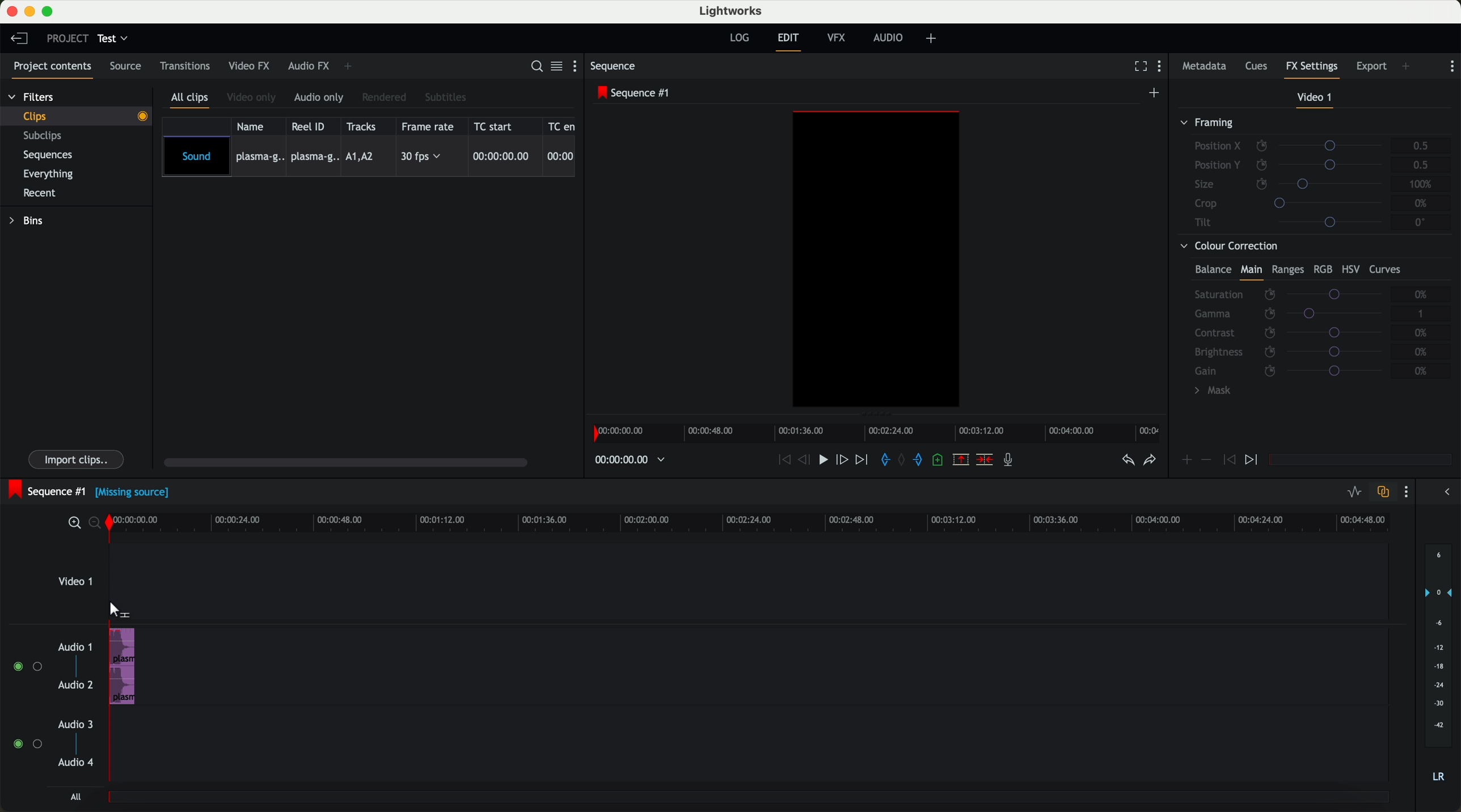 The height and width of the screenshot is (812, 1461). I want to click on exit, so click(788, 42).